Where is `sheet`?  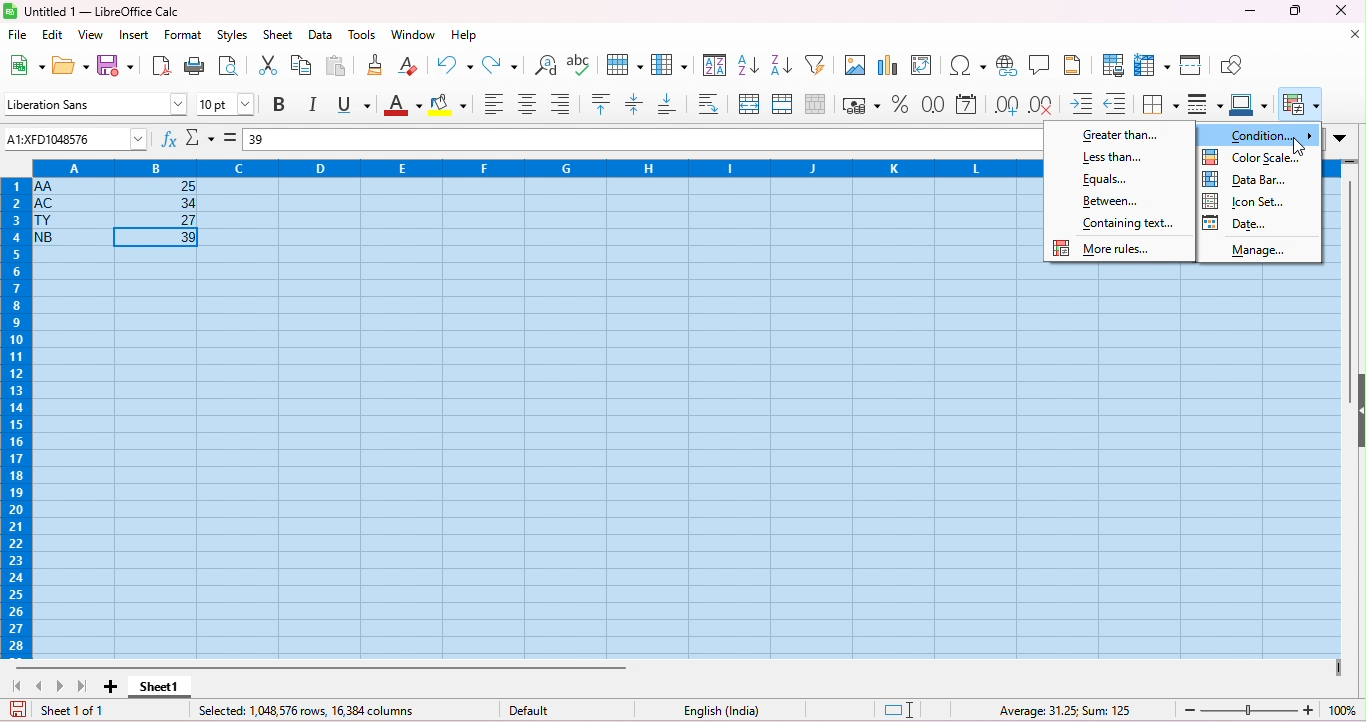
sheet is located at coordinates (280, 36).